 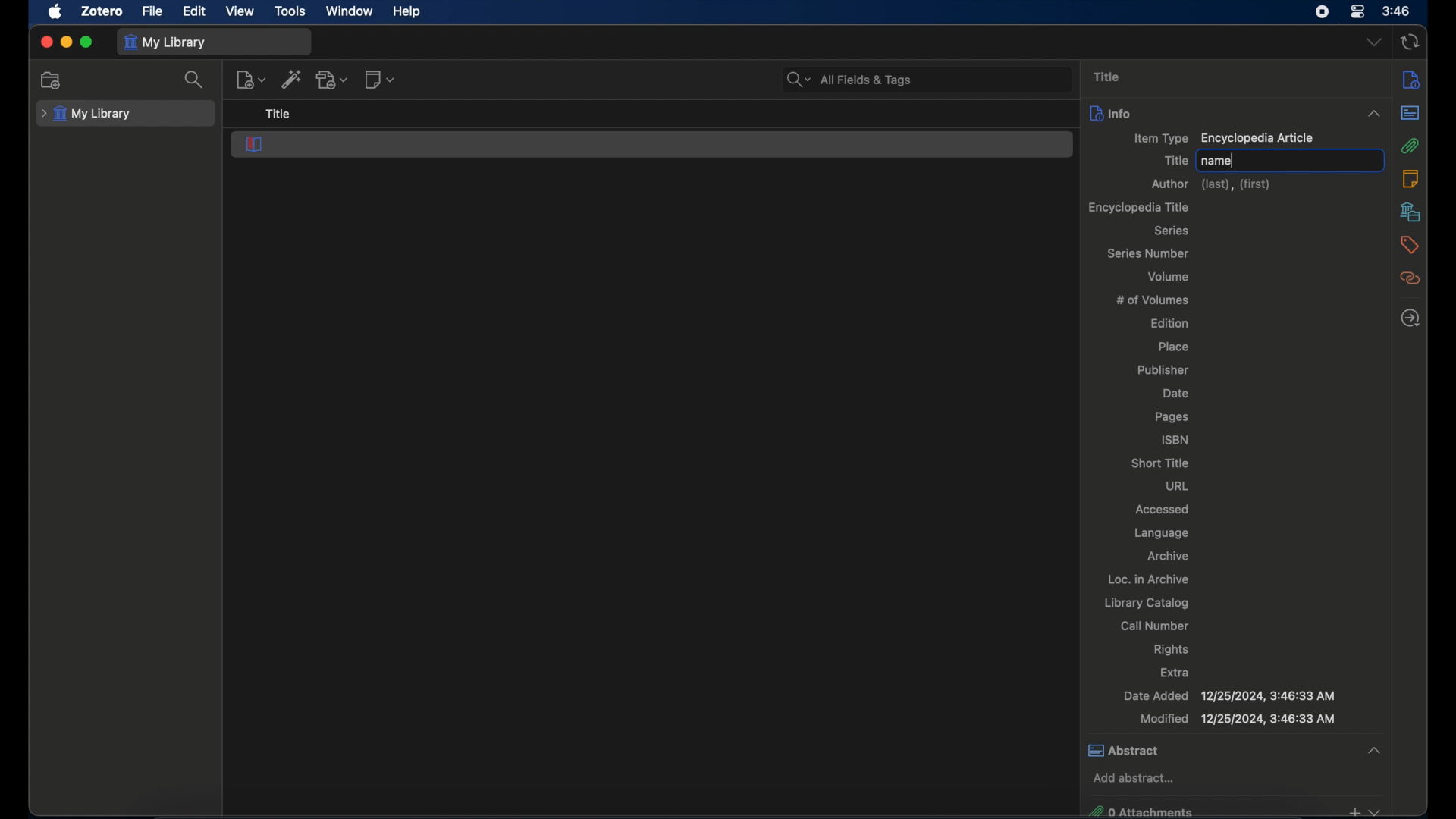 I want to click on window, so click(x=350, y=11).